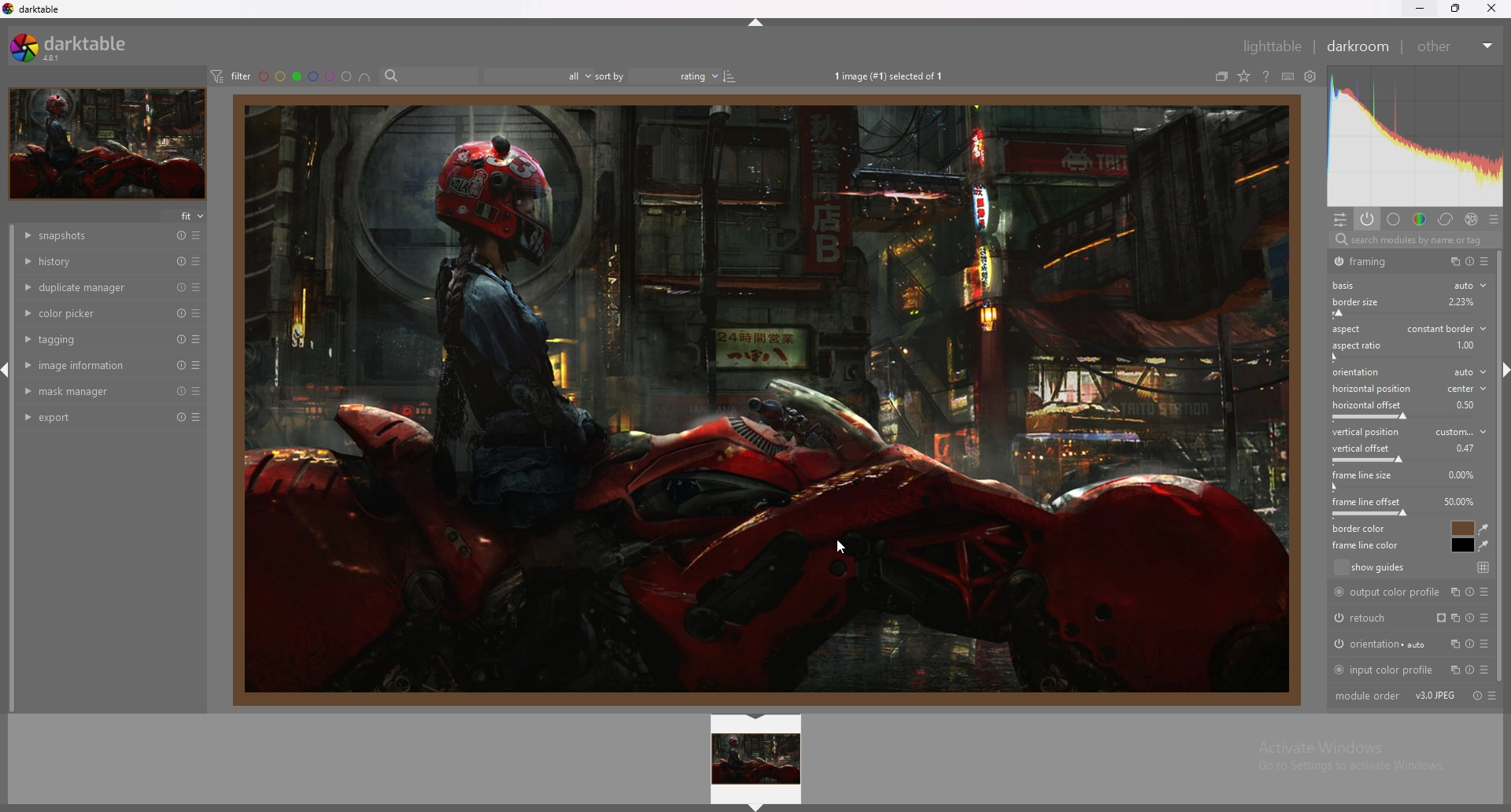 This screenshot has height=812, width=1511. I want to click on show active modules, so click(1365, 219).